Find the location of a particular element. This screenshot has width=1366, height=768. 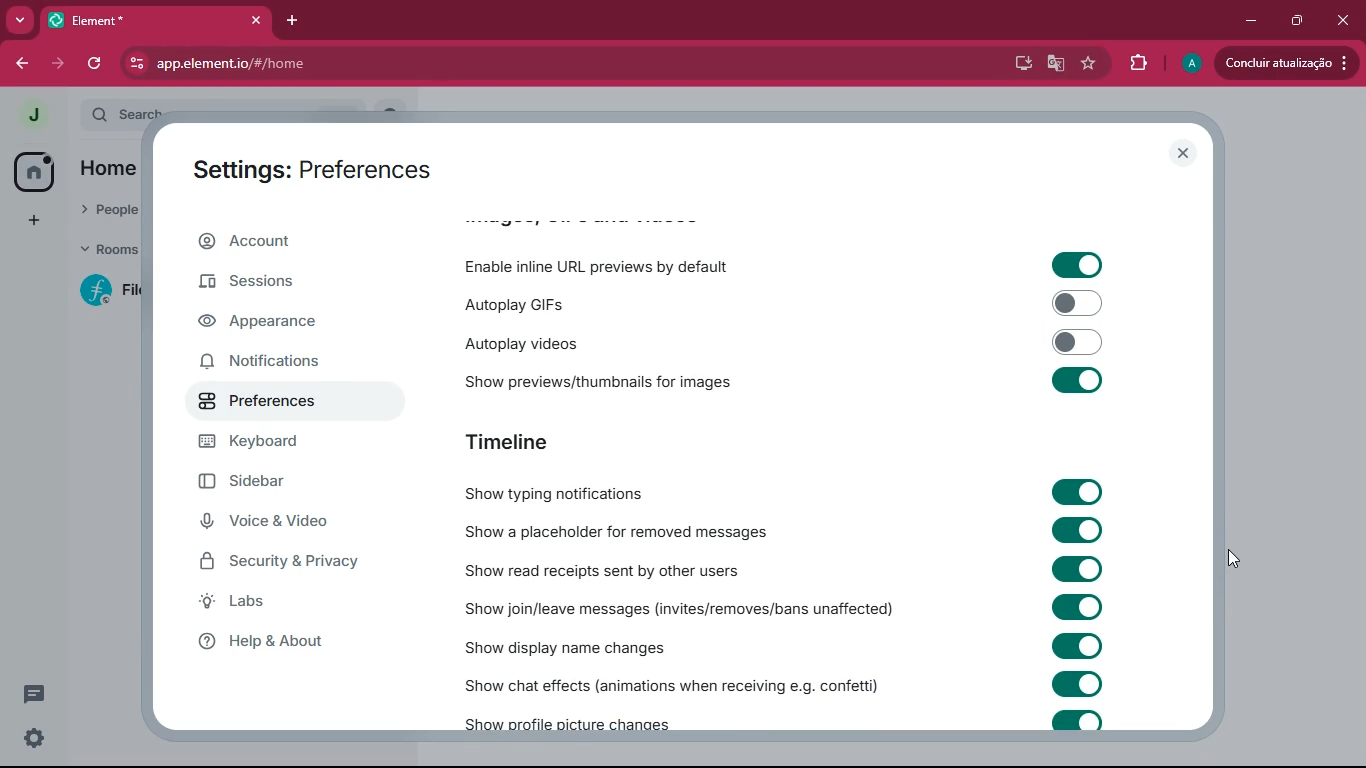

maximize is located at coordinates (1299, 21).